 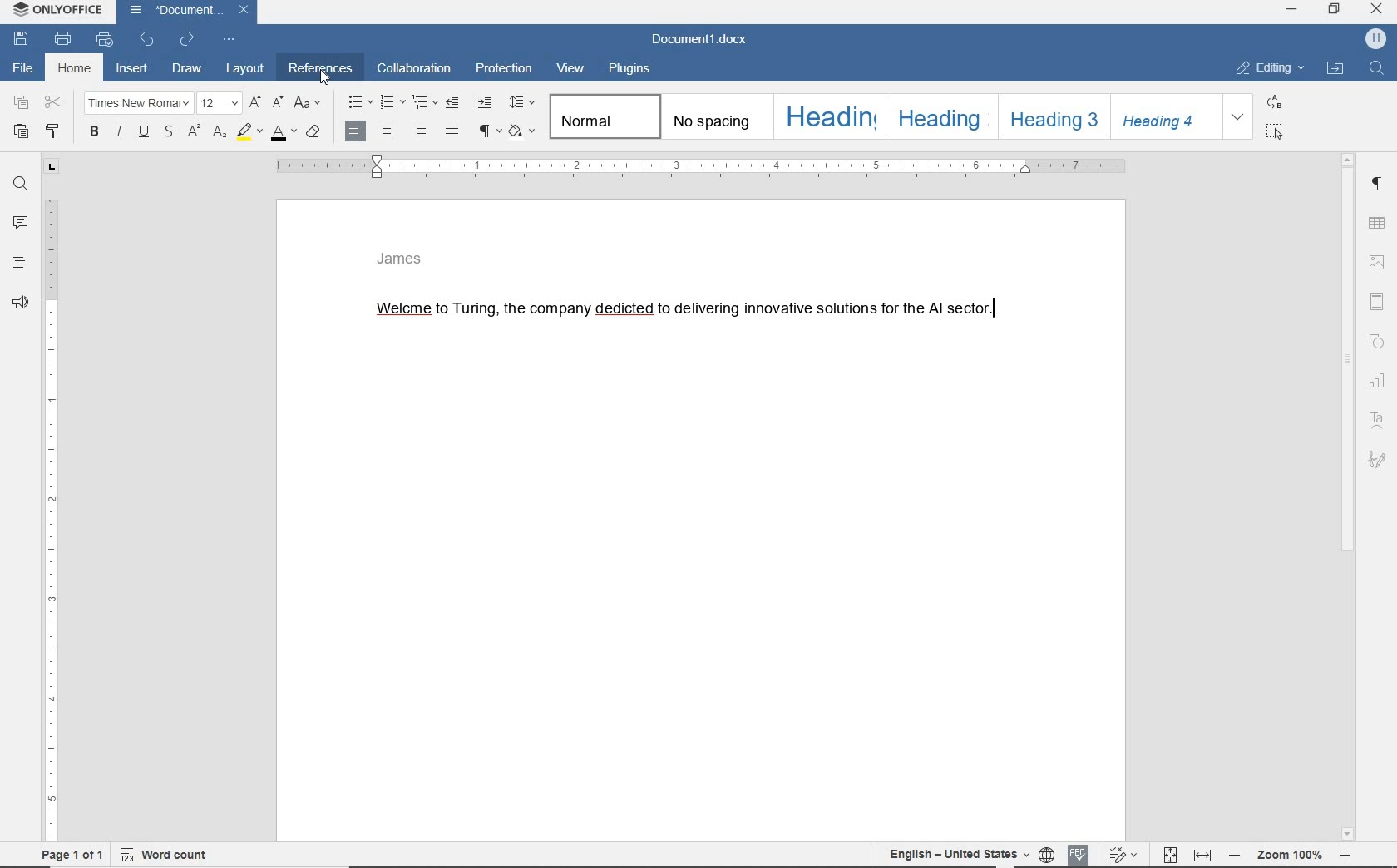 I want to click on ruler, so click(x=716, y=168).